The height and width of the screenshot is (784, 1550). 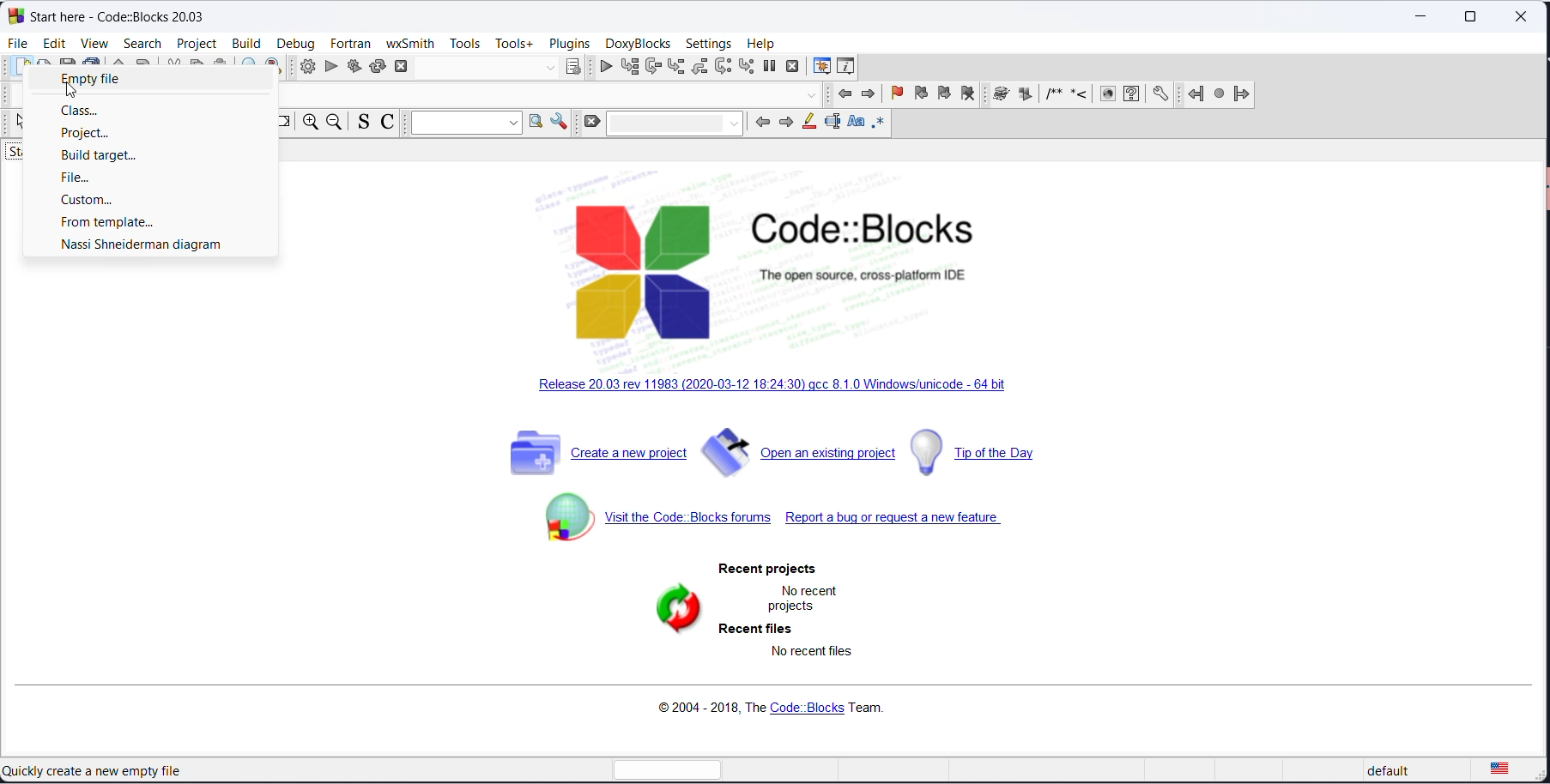 I want to click on settings, so click(x=709, y=43).